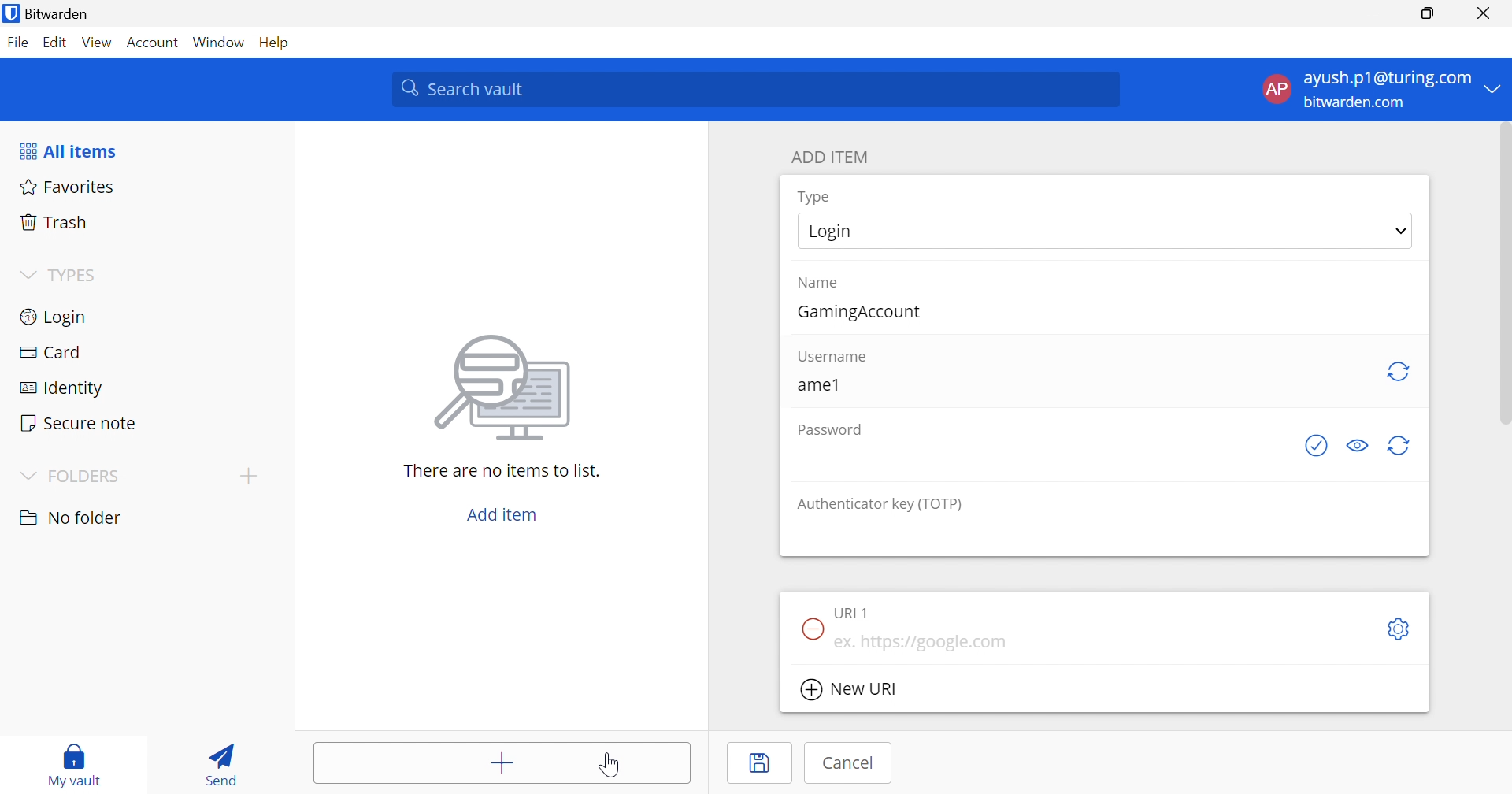 This screenshot has height=794, width=1512. I want to click on Cancel, so click(845, 765).